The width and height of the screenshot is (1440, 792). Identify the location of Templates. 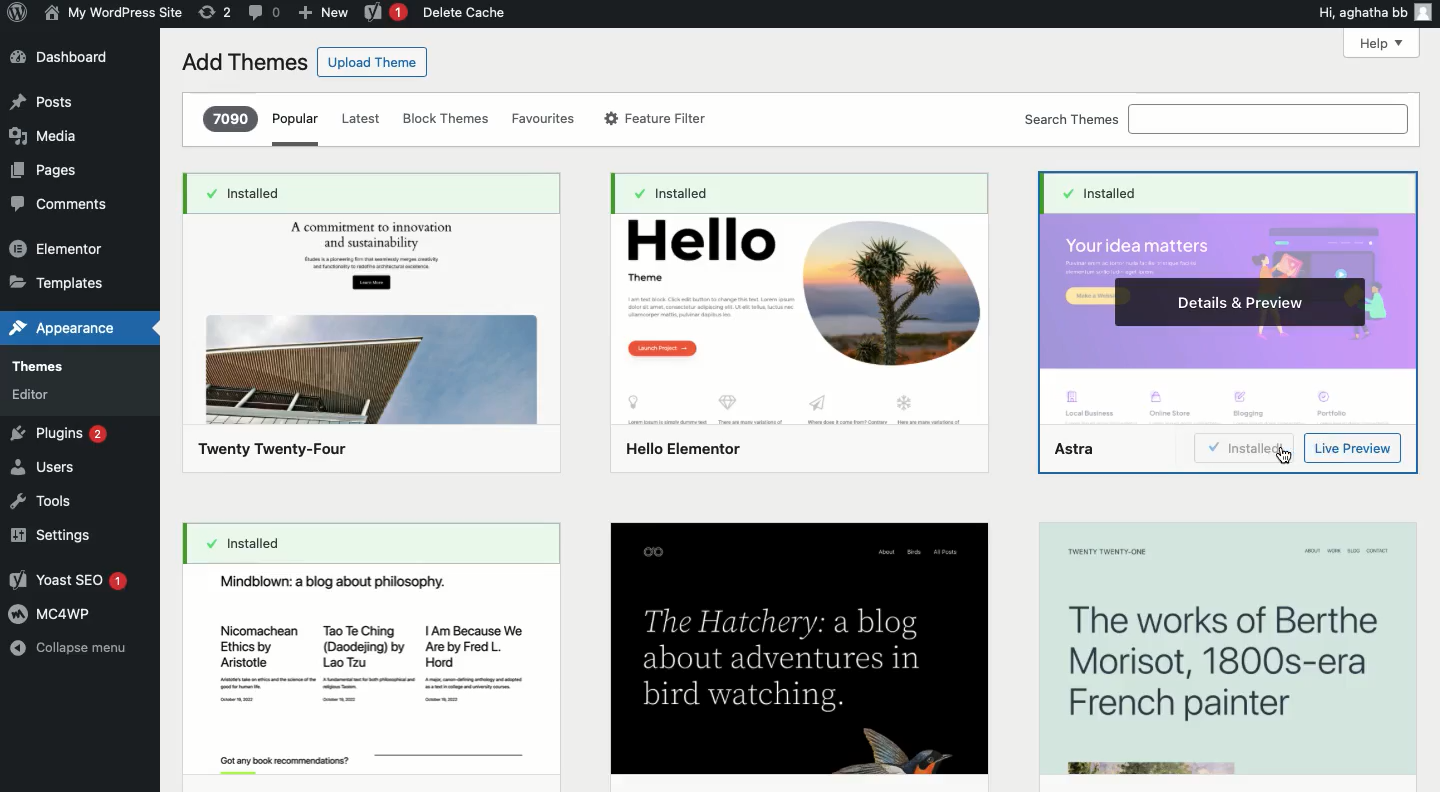
(60, 279).